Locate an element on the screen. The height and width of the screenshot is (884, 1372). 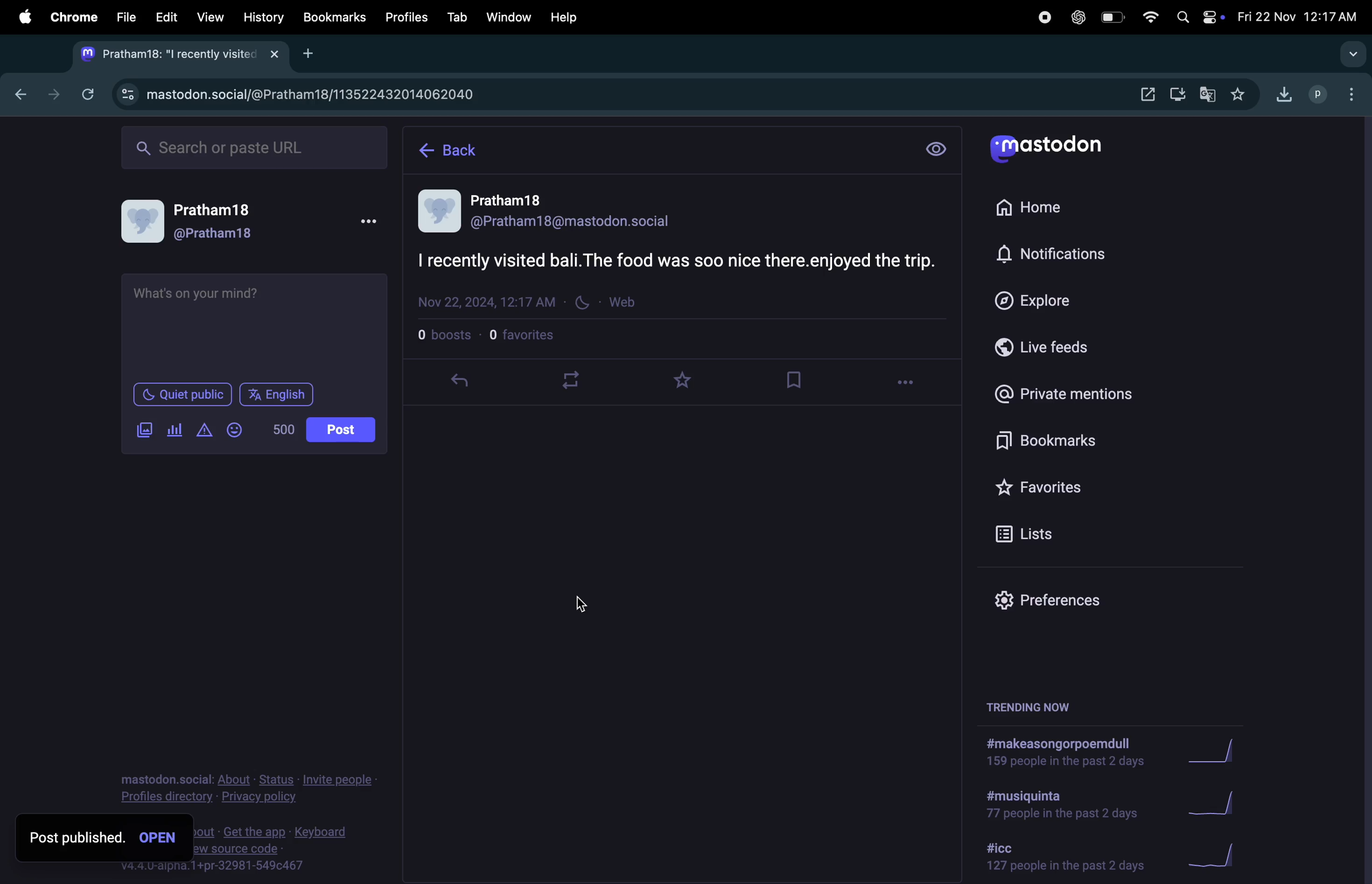
add image is located at coordinates (139, 431).